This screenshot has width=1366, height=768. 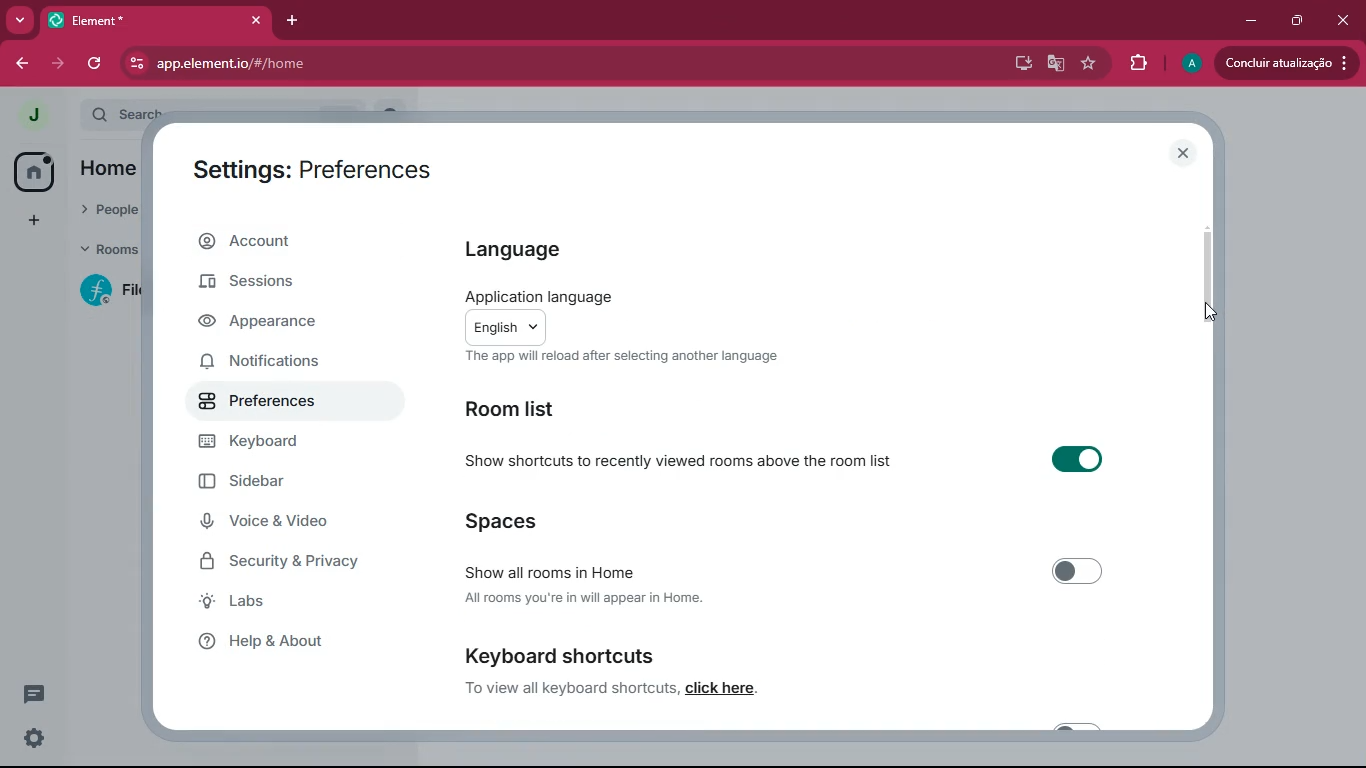 I want to click on close, so click(x=1184, y=154).